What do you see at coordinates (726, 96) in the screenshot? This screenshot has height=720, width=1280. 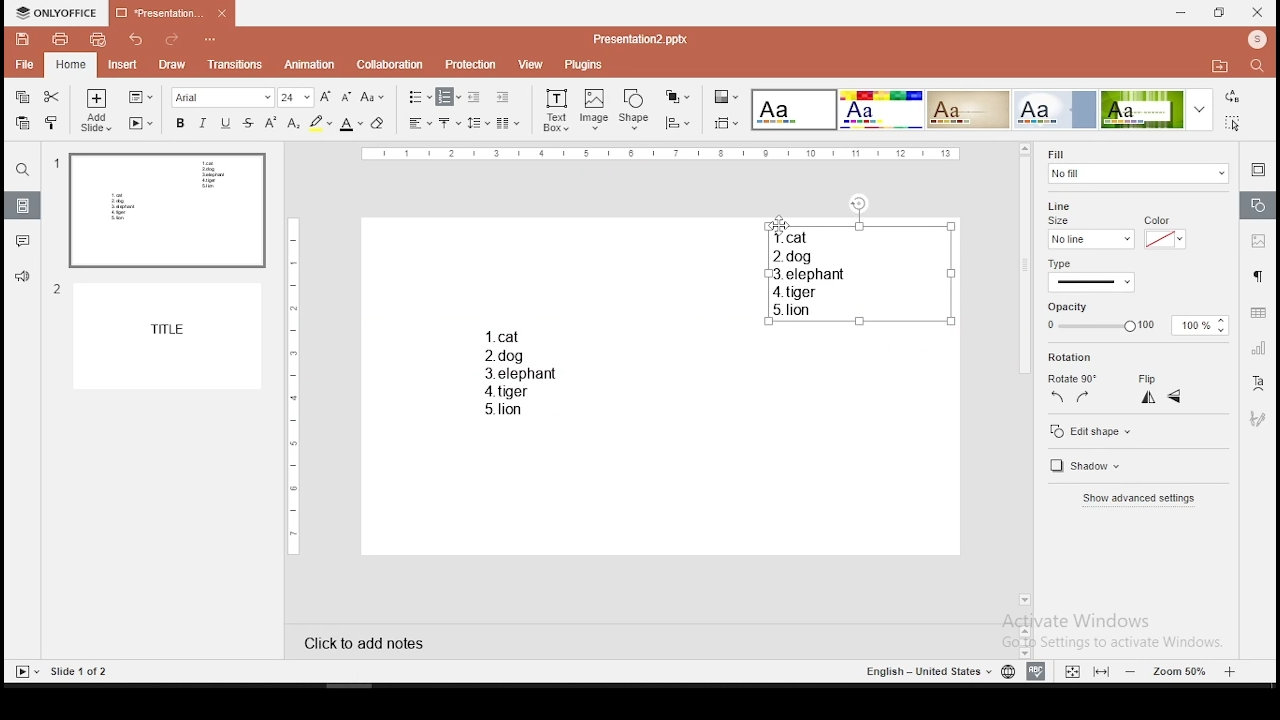 I see `change color theme` at bounding box center [726, 96].